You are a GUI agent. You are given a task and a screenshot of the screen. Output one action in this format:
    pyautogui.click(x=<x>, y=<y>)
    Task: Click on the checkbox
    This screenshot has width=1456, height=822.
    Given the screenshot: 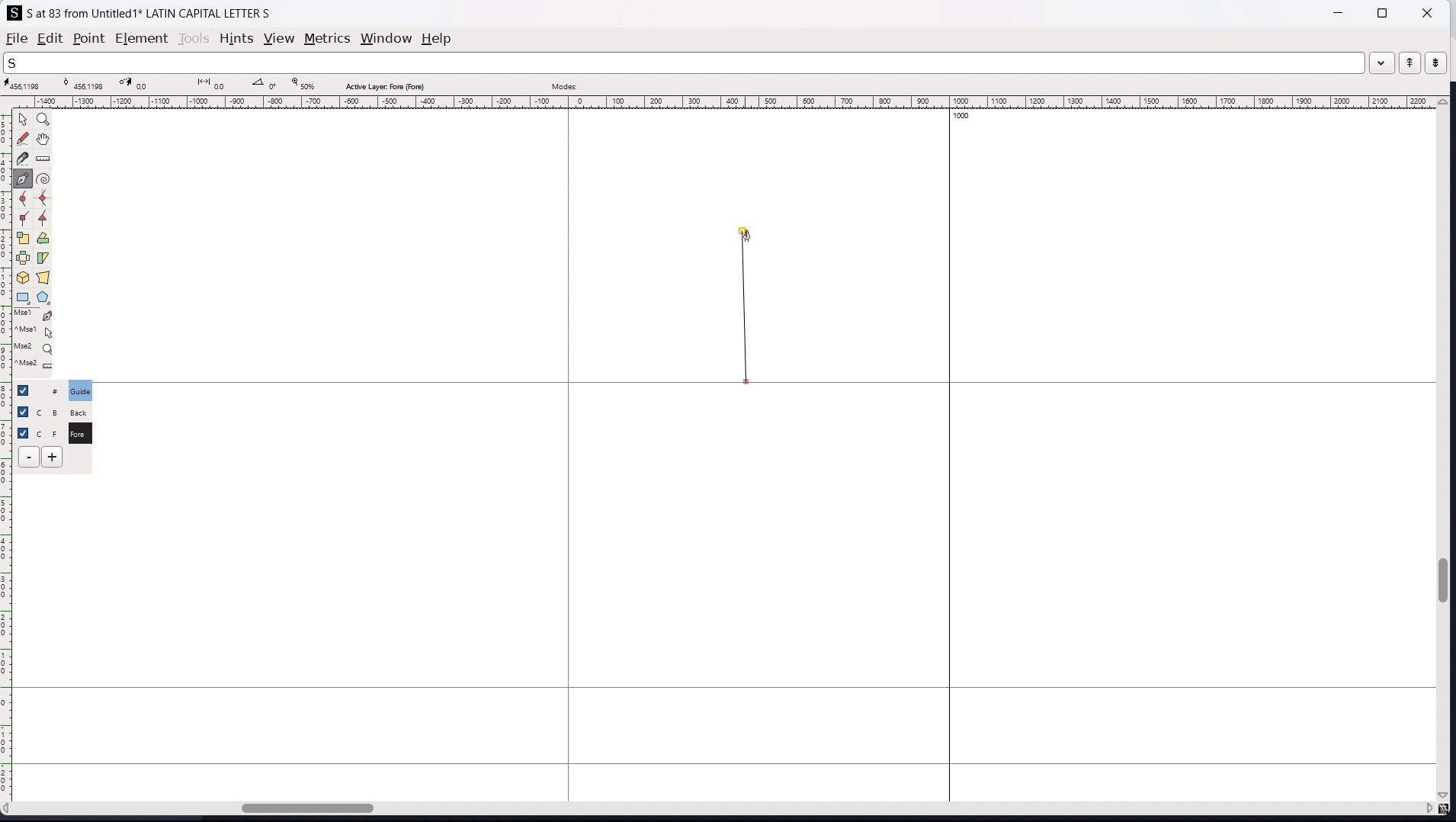 What is the action you would take?
    pyautogui.click(x=22, y=410)
    